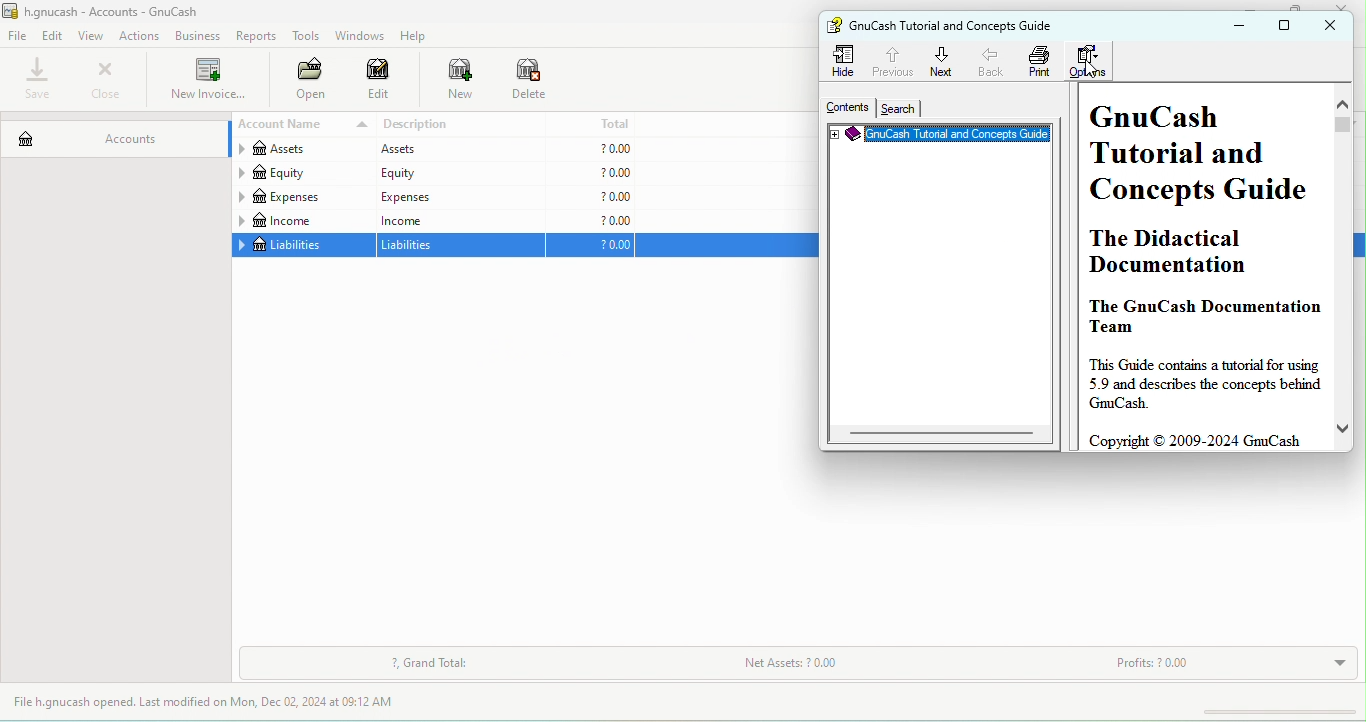  I want to click on windows, so click(358, 36).